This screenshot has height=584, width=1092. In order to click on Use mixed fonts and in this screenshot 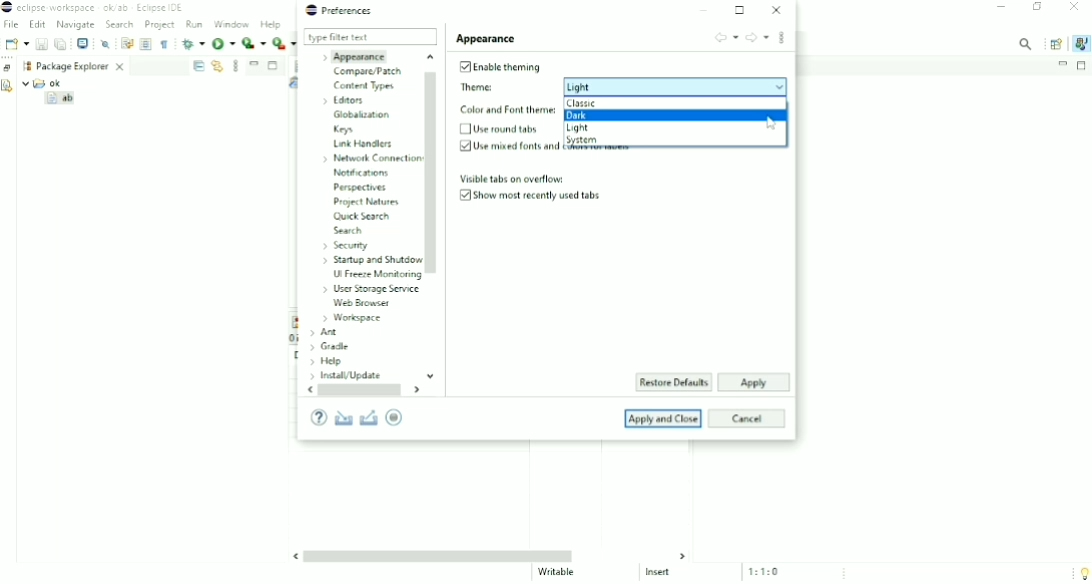, I will do `click(508, 146)`.